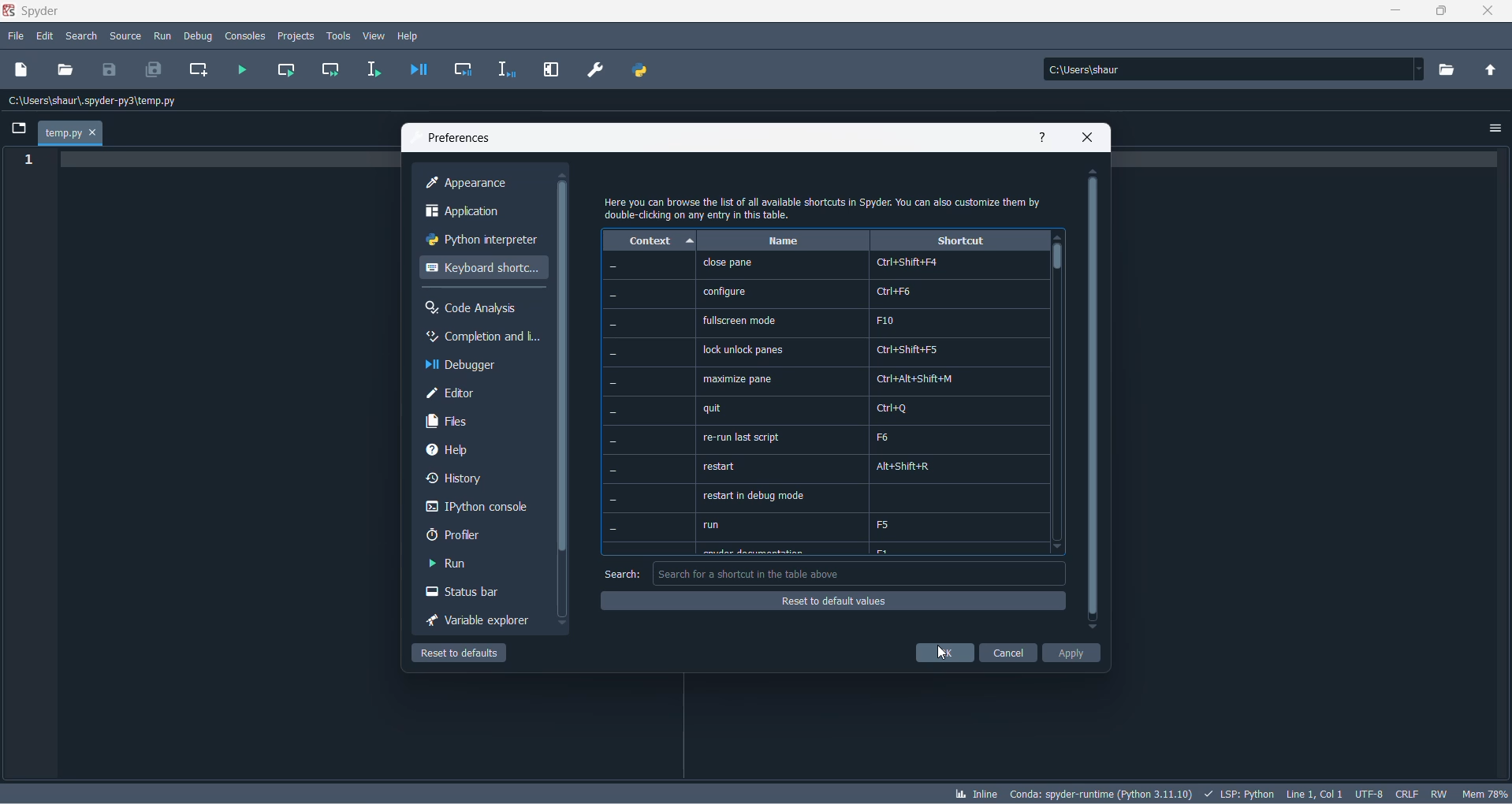 This screenshot has height=804, width=1512. What do you see at coordinates (326, 73) in the screenshot?
I see `run current cell` at bounding box center [326, 73].